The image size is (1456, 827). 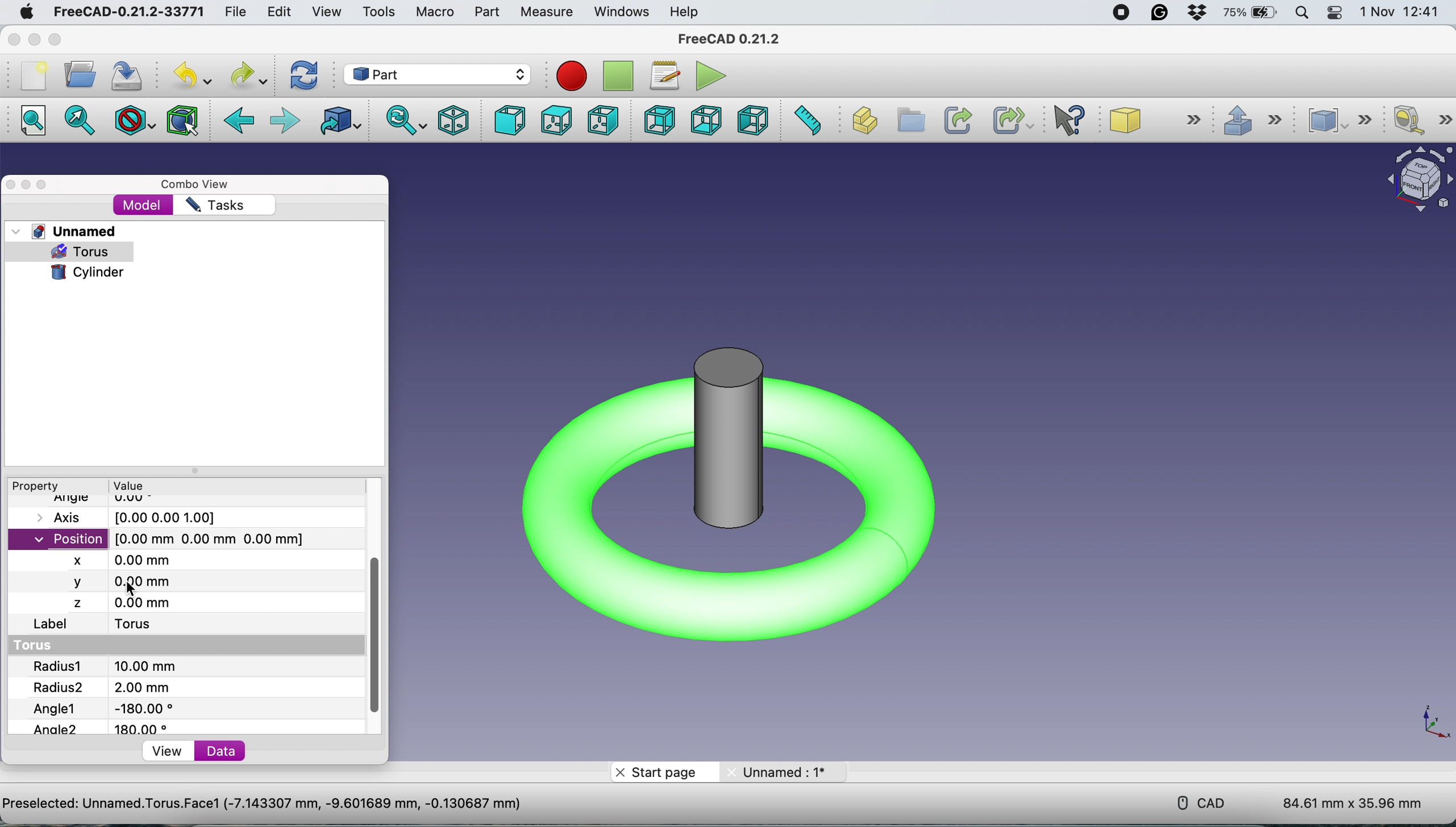 I want to click on fit all, so click(x=30, y=120).